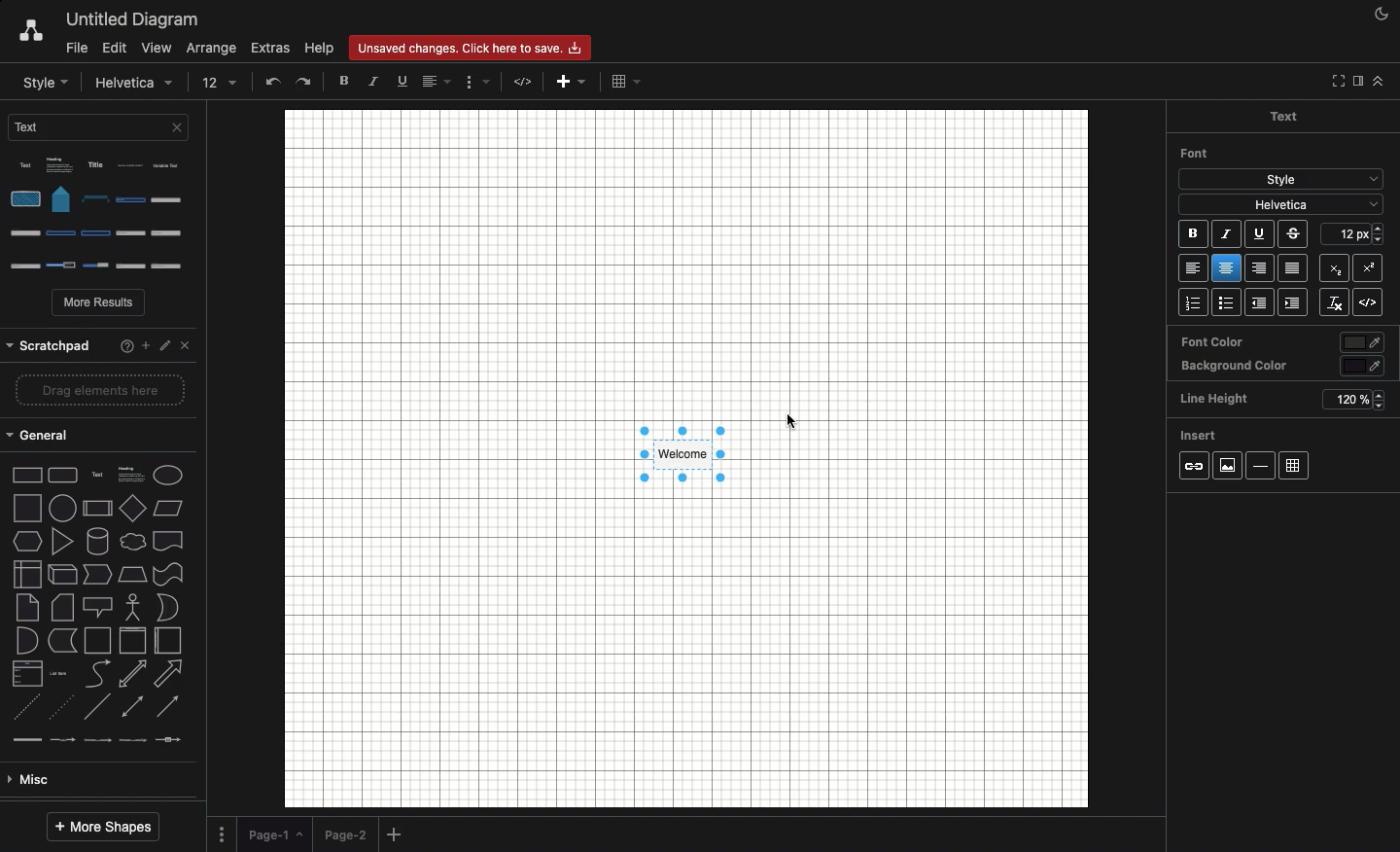 The width and height of the screenshot is (1400, 852). What do you see at coordinates (1261, 465) in the screenshot?
I see `Horizontal rule` at bounding box center [1261, 465].